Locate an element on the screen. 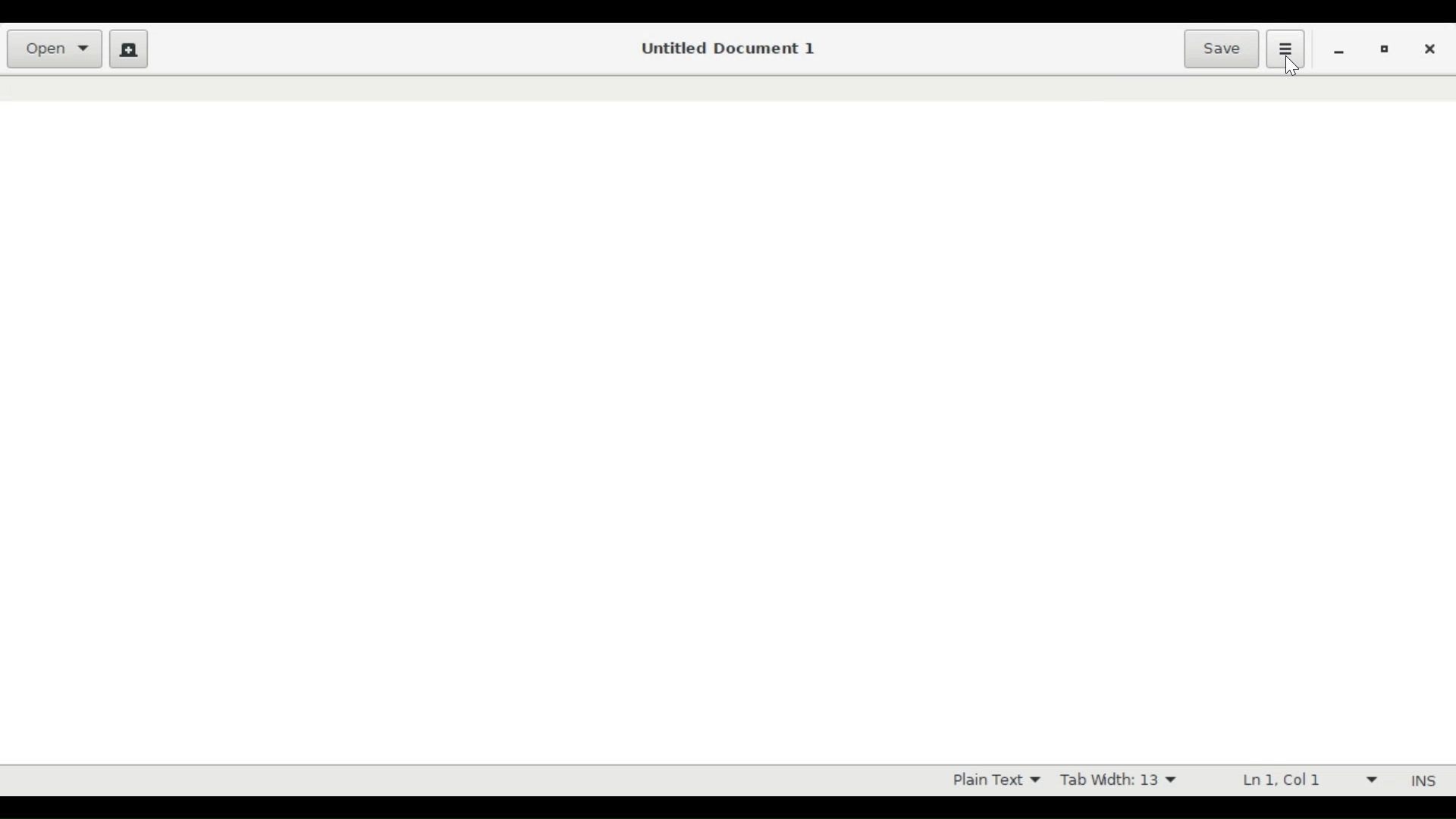  Open is located at coordinates (53, 49).